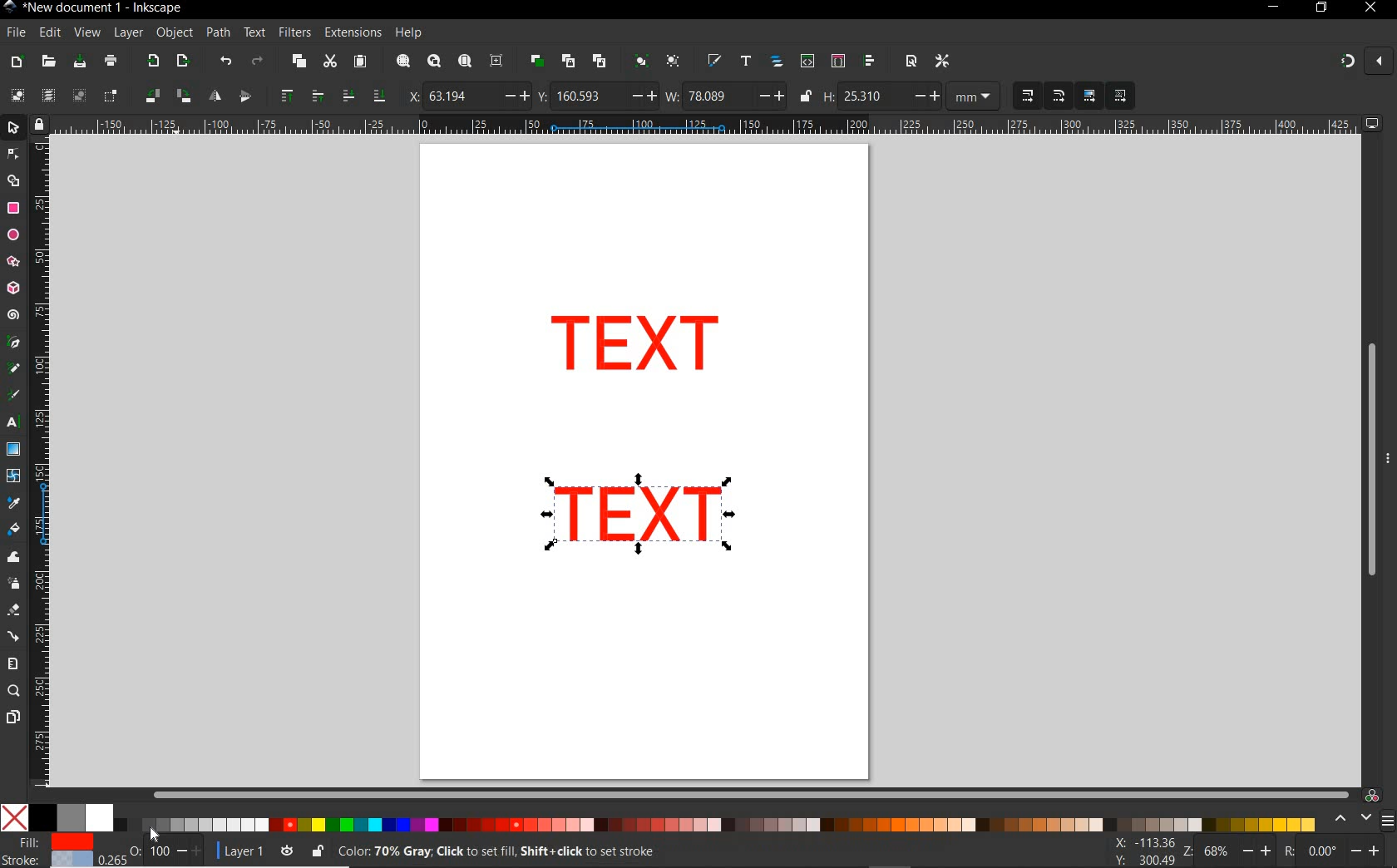  I want to click on help, so click(409, 33).